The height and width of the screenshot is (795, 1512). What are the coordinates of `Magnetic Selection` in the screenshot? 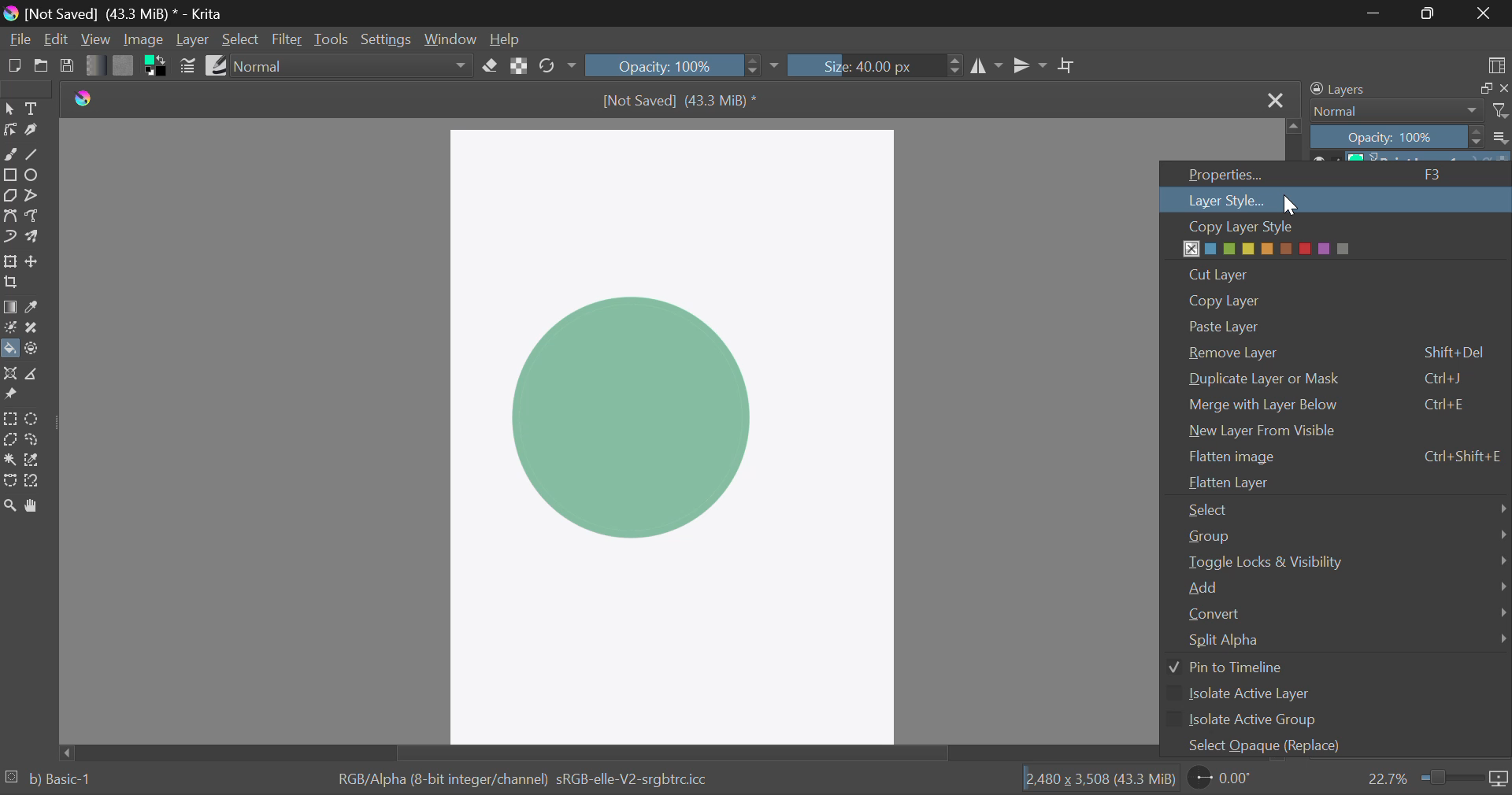 It's located at (35, 480).